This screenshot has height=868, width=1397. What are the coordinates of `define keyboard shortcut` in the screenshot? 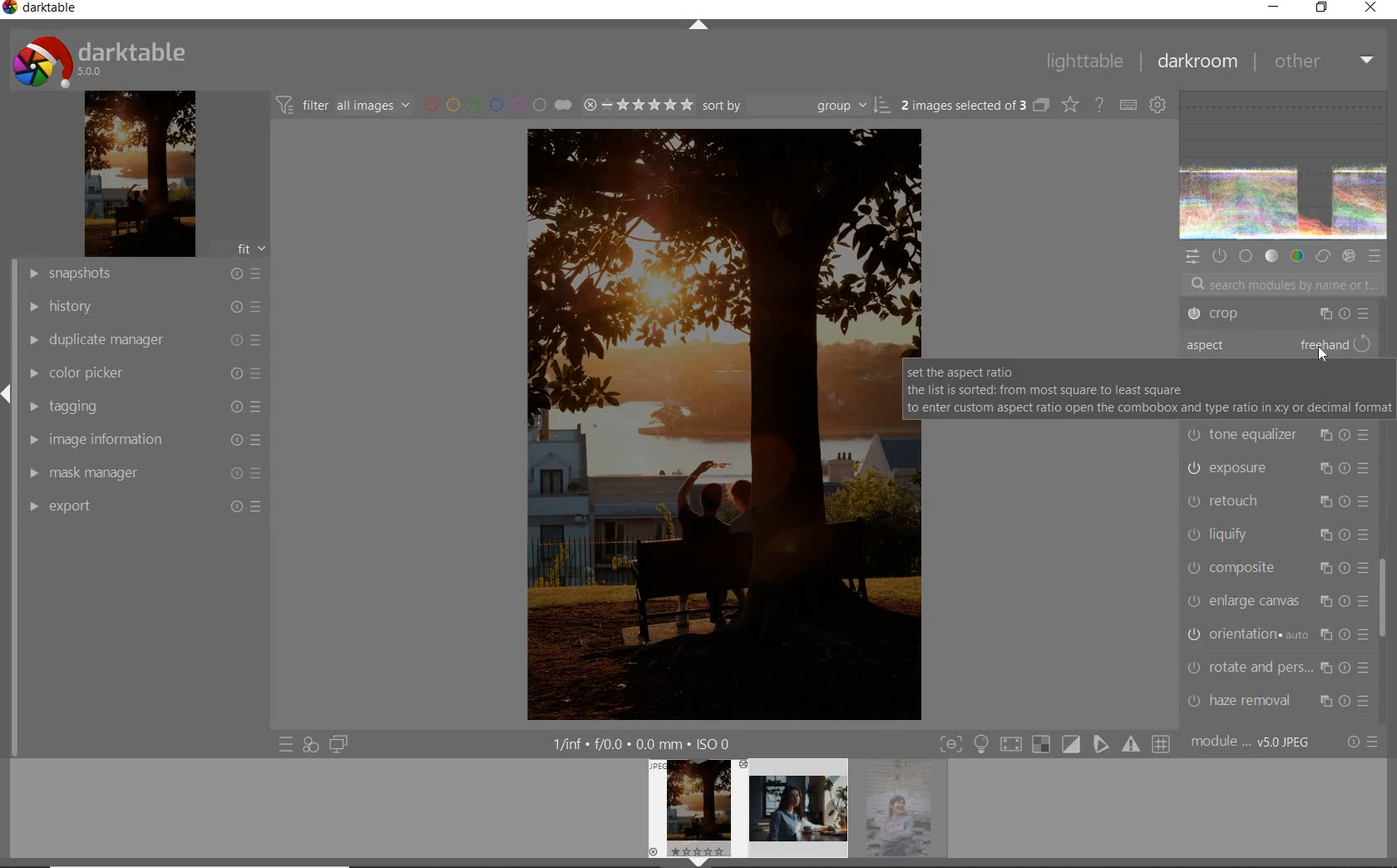 It's located at (1128, 104).